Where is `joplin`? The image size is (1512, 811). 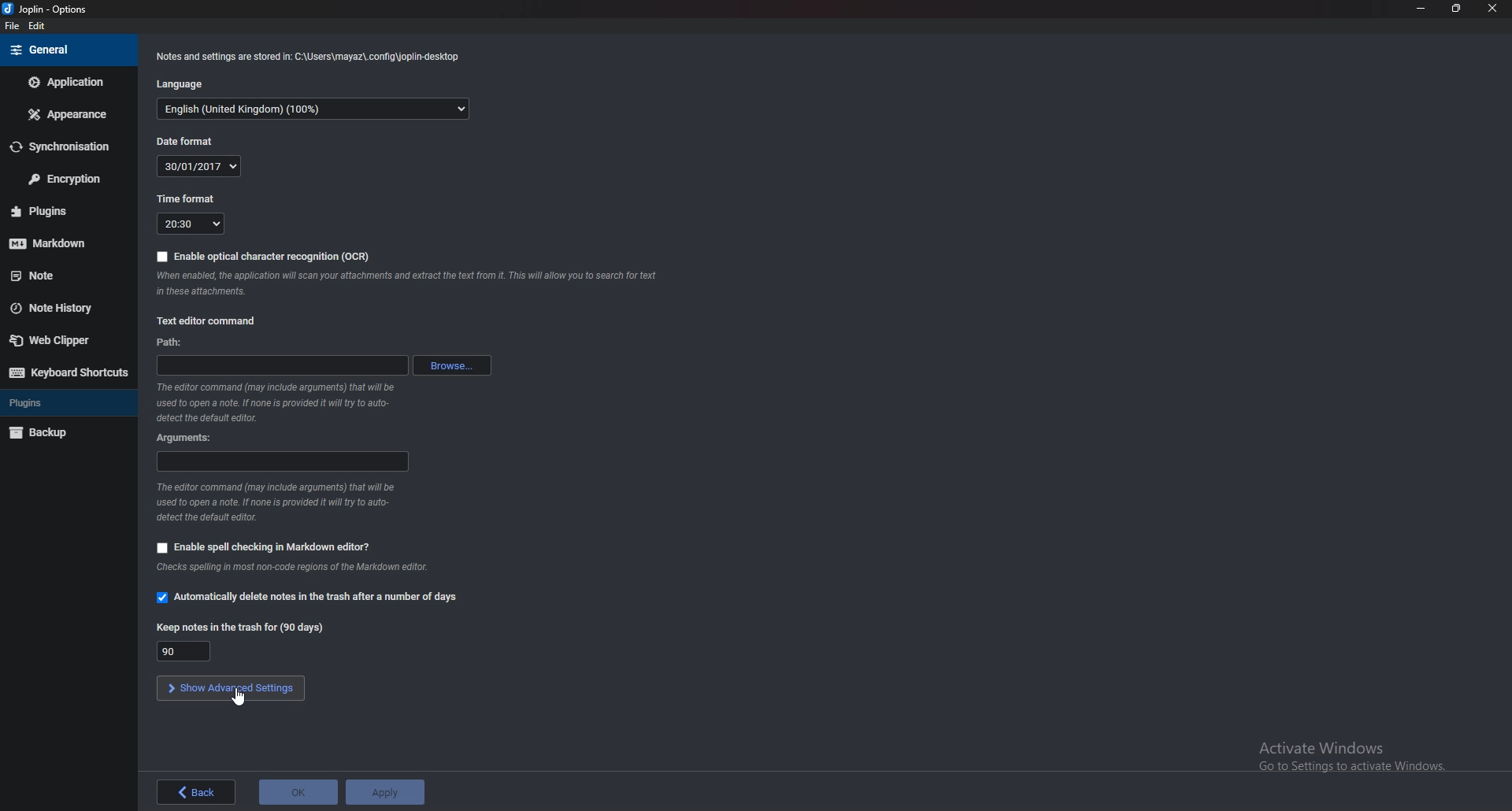 joplin is located at coordinates (51, 9).